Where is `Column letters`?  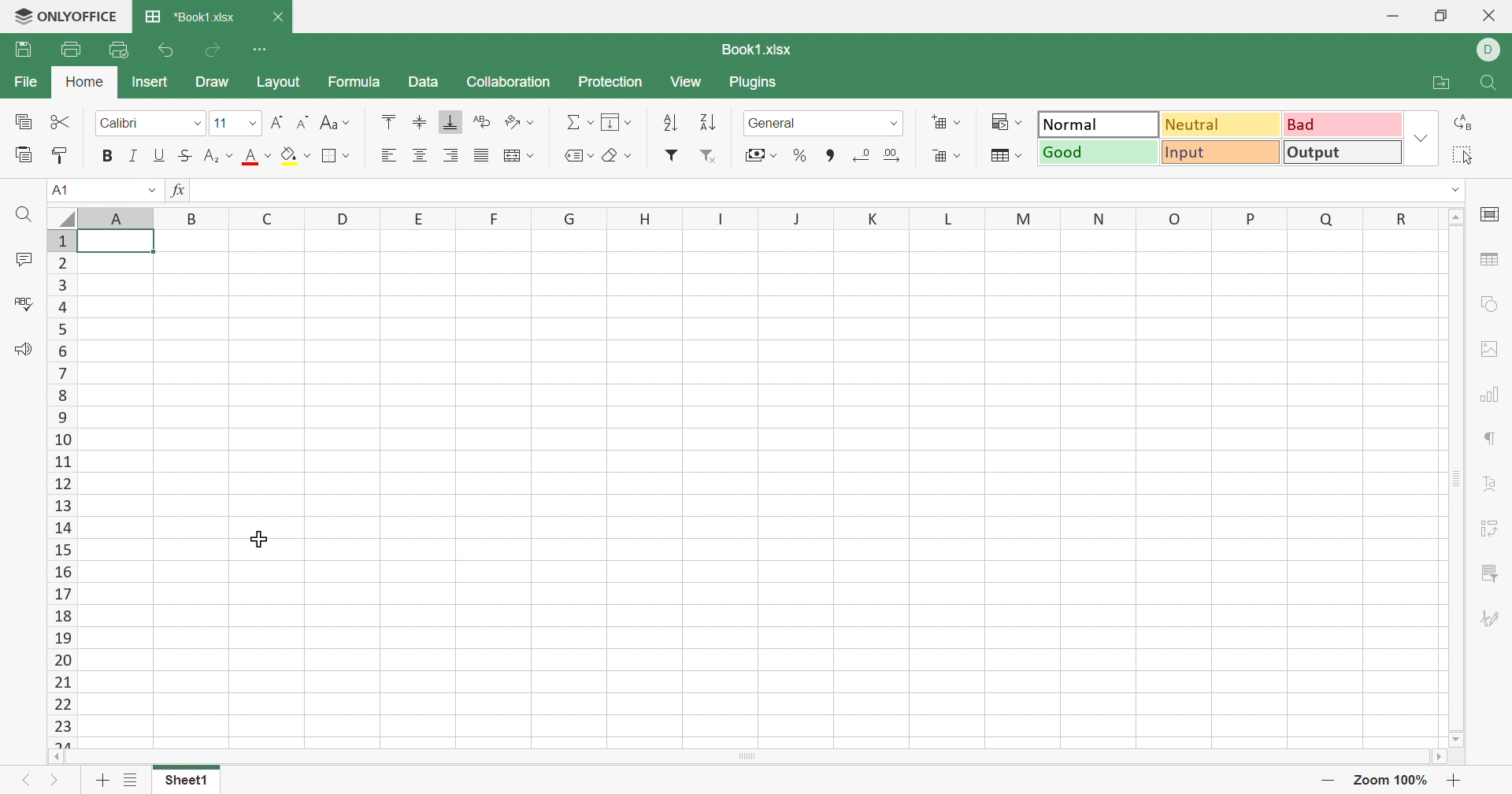
Column letters is located at coordinates (746, 217).